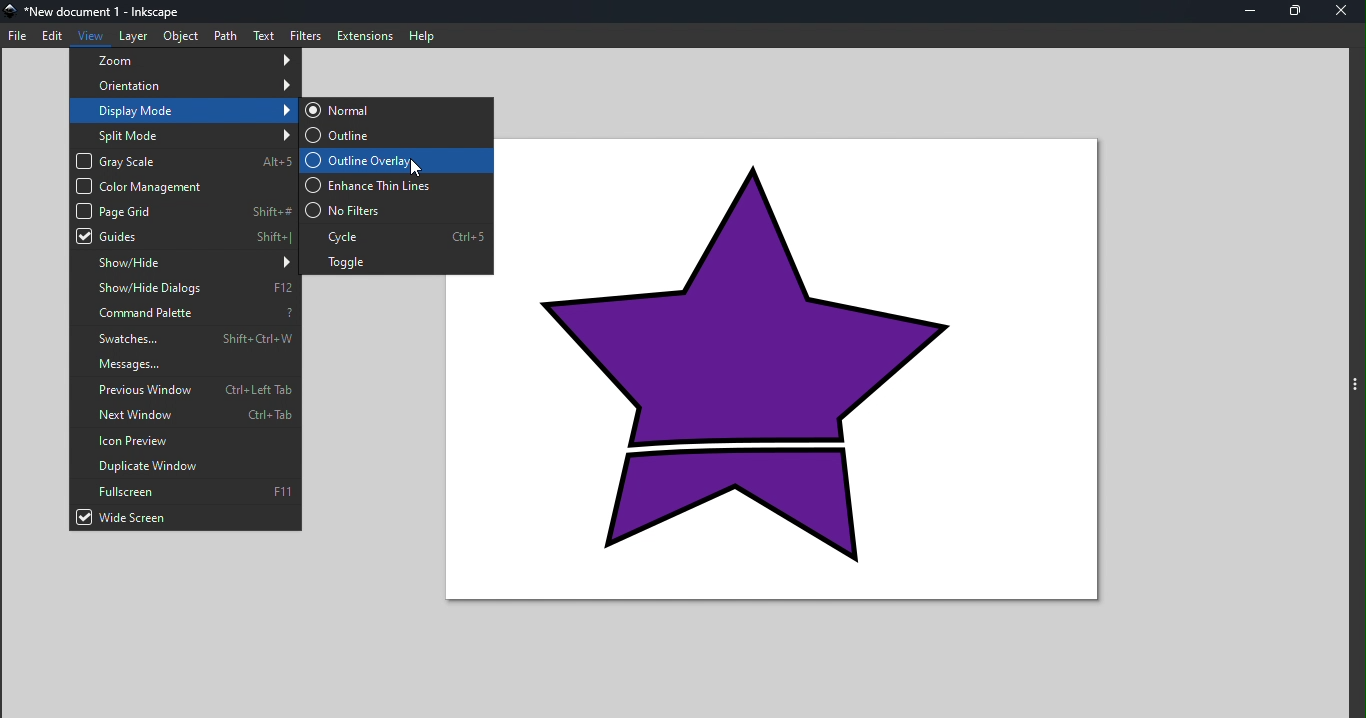  Describe the element at coordinates (1297, 11) in the screenshot. I see `Maximize` at that location.